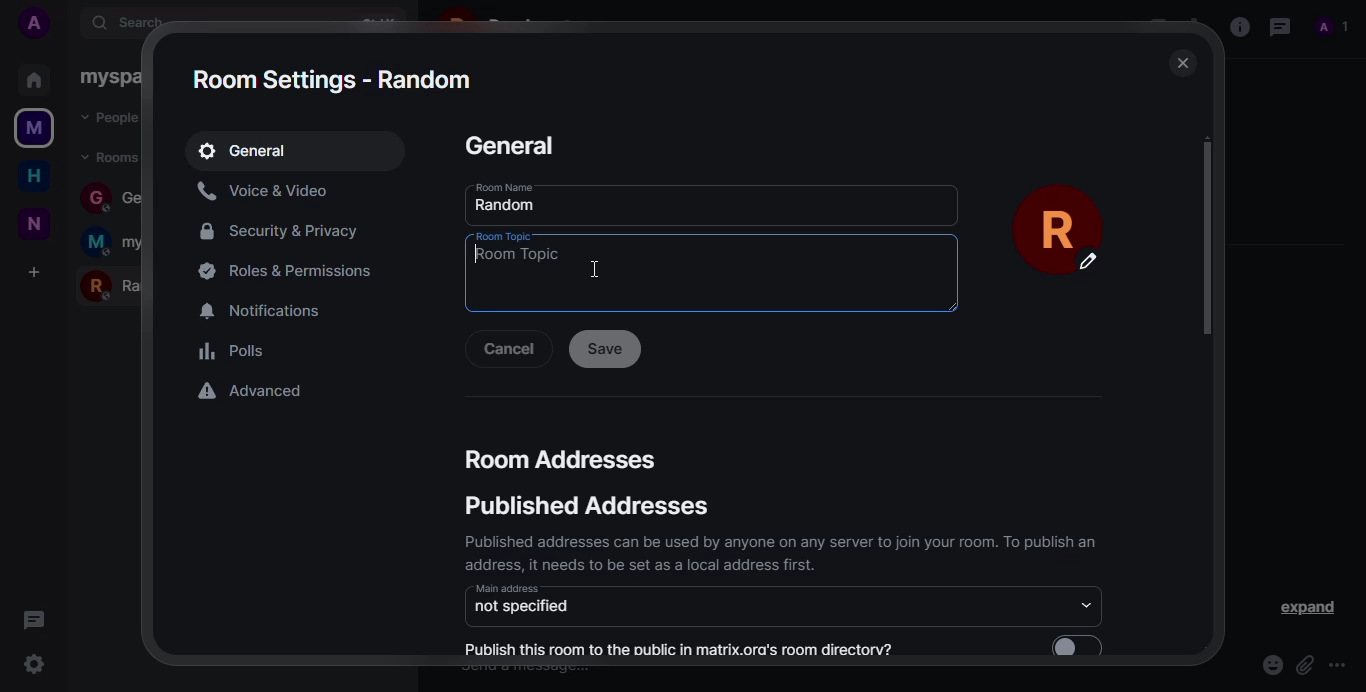 This screenshot has width=1366, height=692. Describe the element at coordinates (560, 457) in the screenshot. I see `room addresses` at that location.